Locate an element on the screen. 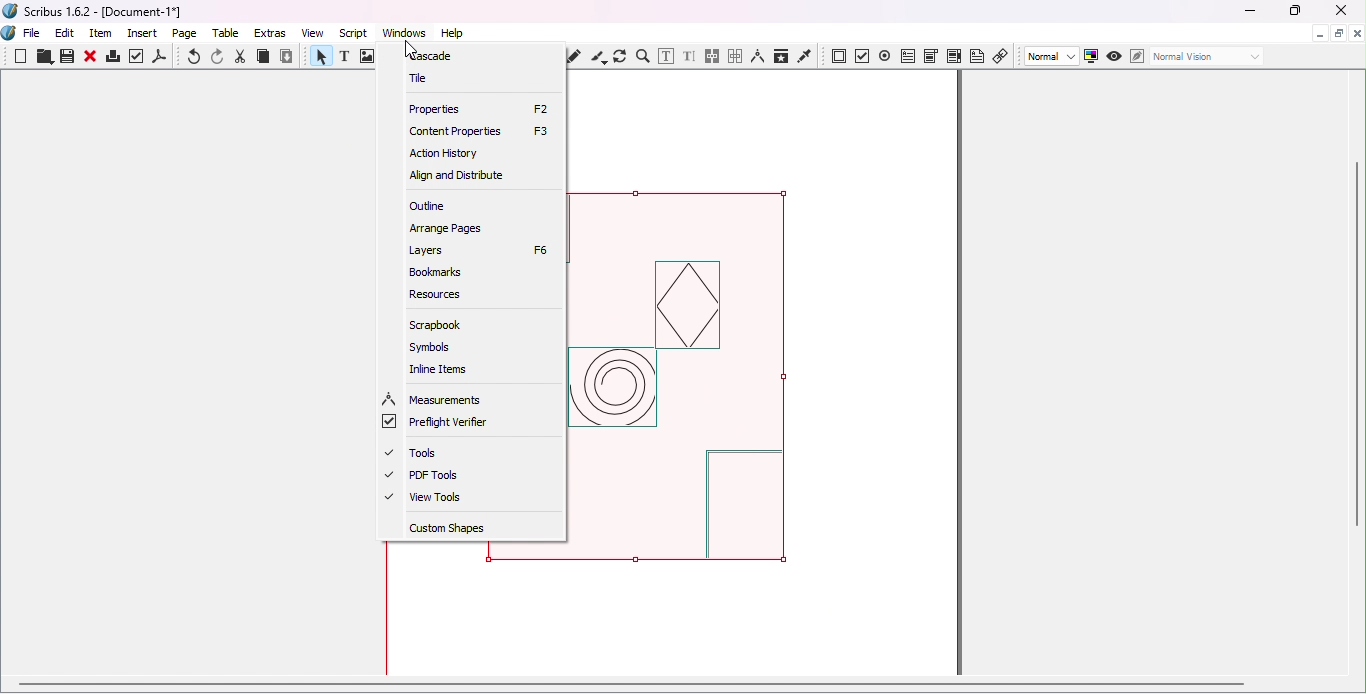  Redo is located at coordinates (219, 57).